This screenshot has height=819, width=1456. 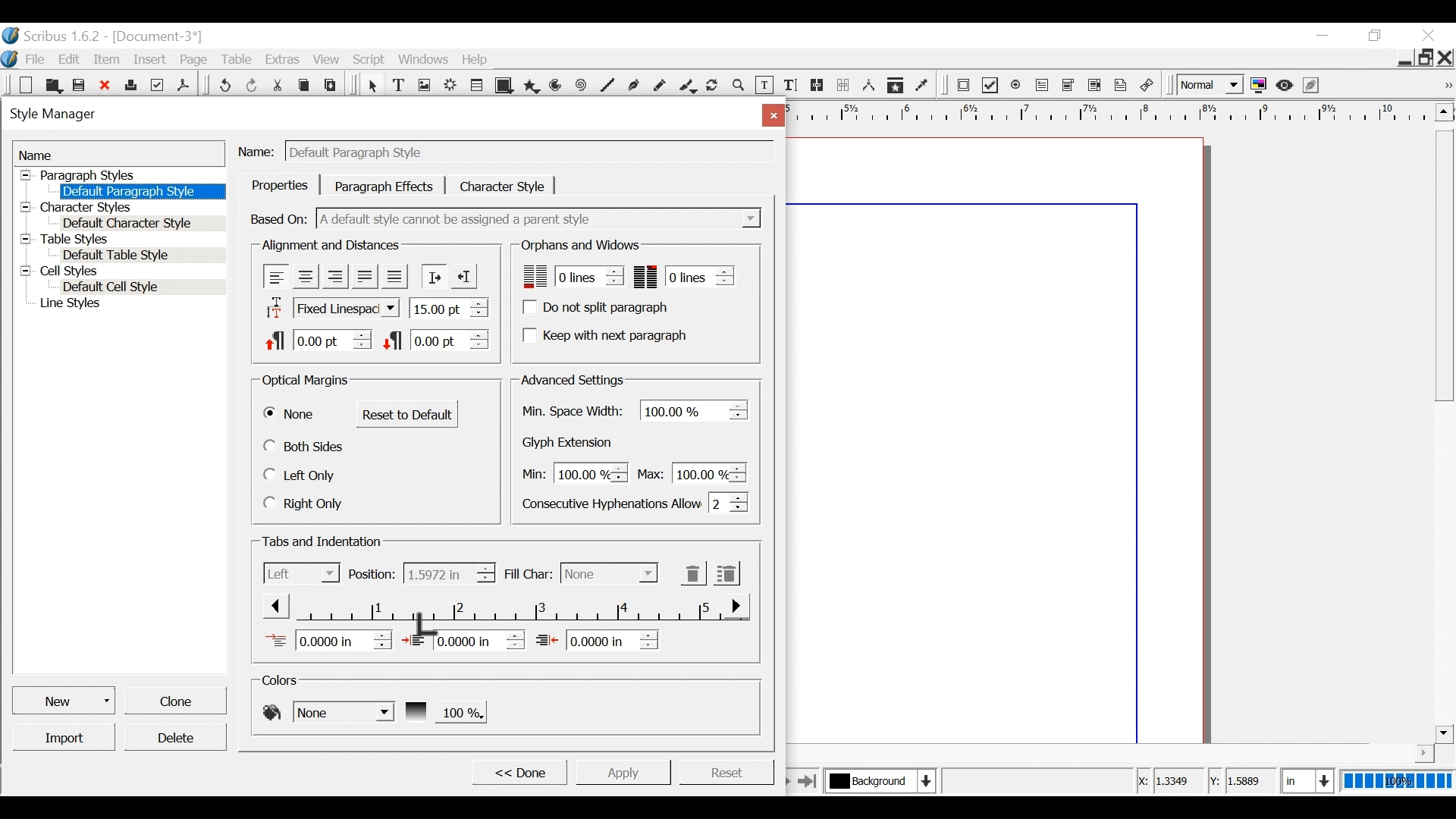 I want to click on Align Justified, so click(x=363, y=276).